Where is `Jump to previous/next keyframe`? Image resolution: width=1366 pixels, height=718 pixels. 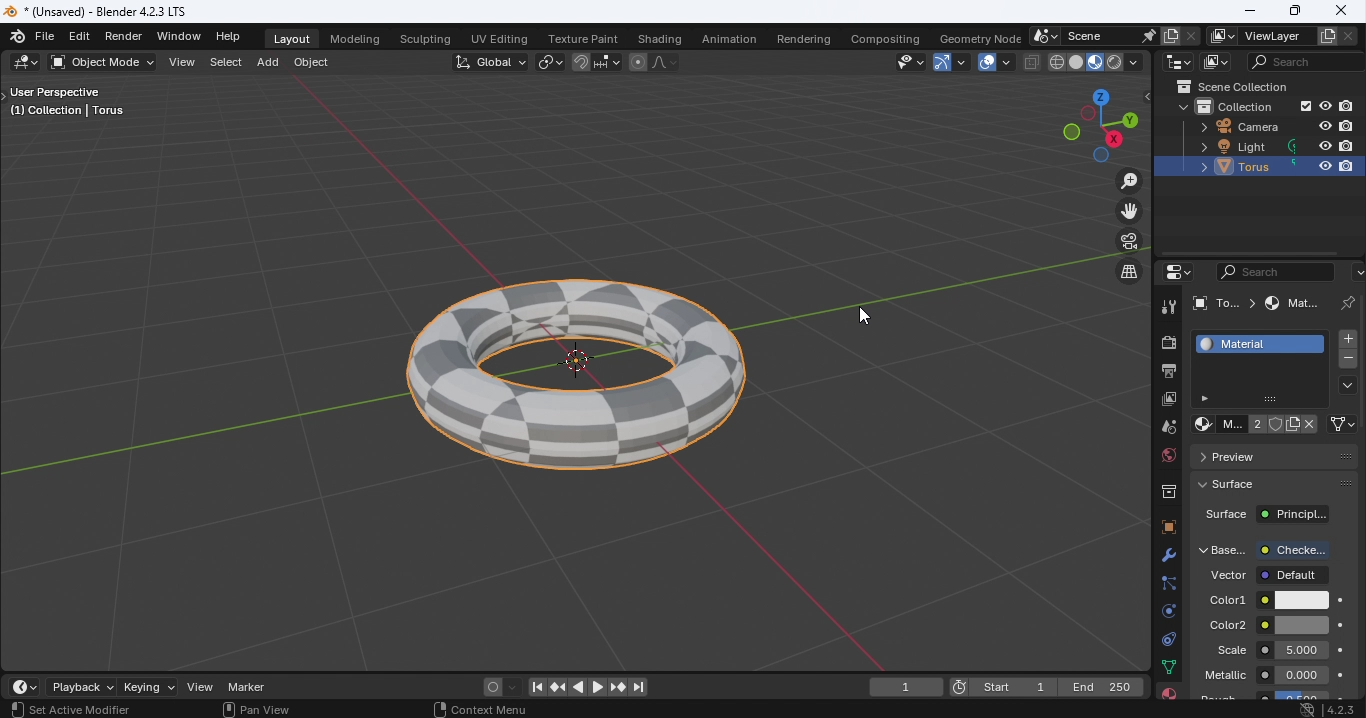
Jump to previous/next keyframe is located at coordinates (557, 688).